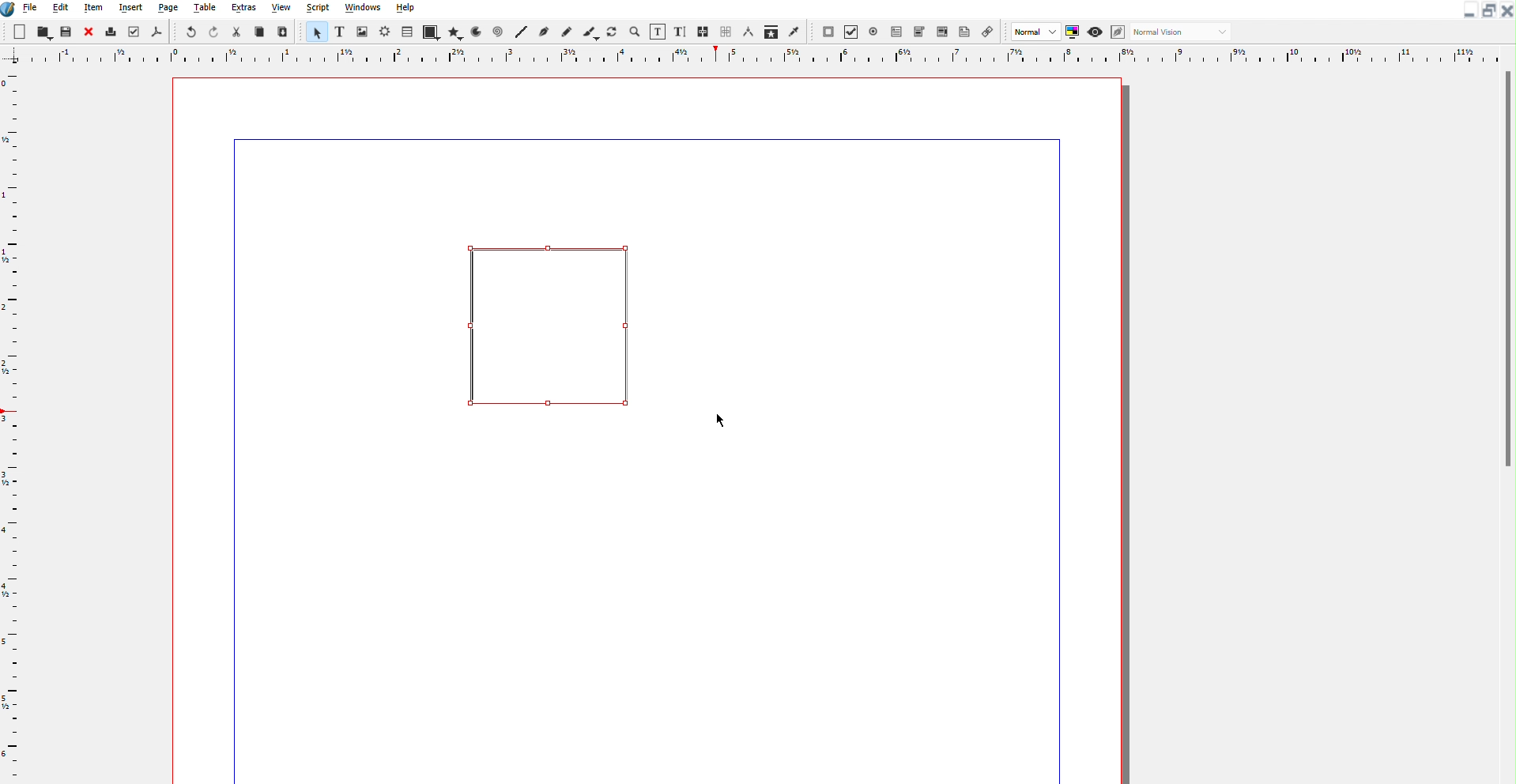  What do you see at coordinates (283, 32) in the screenshot?
I see `Paste` at bounding box center [283, 32].